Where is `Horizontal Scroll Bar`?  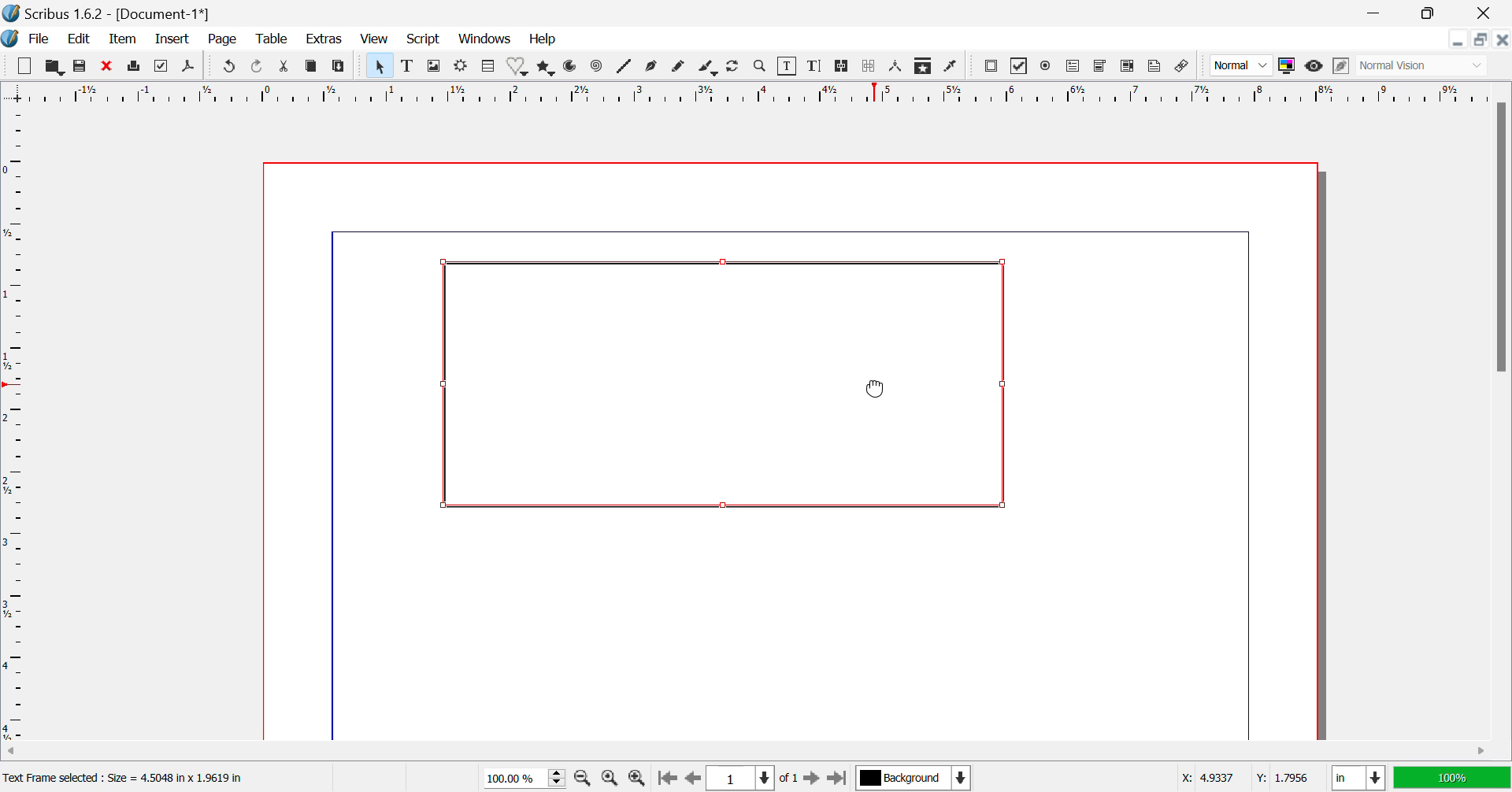
Horizontal Scroll Bar is located at coordinates (736, 751).